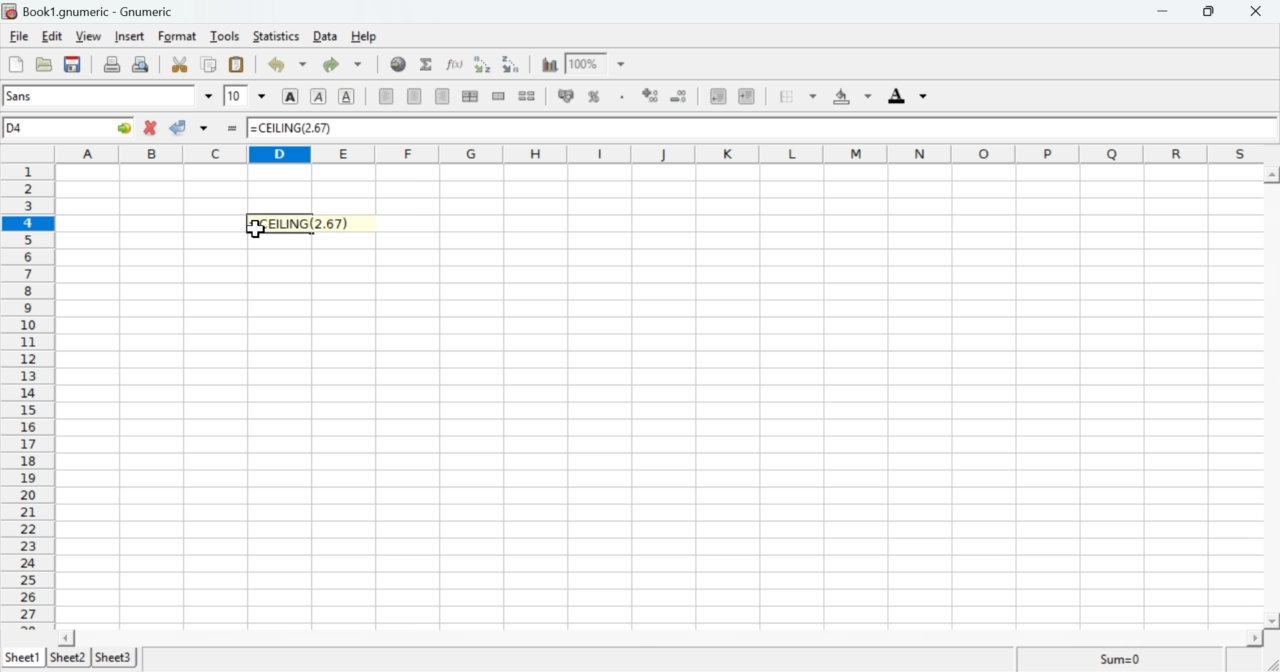  What do you see at coordinates (176, 37) in the screenshot?
I see `Format` at bounding box center [176, 37].